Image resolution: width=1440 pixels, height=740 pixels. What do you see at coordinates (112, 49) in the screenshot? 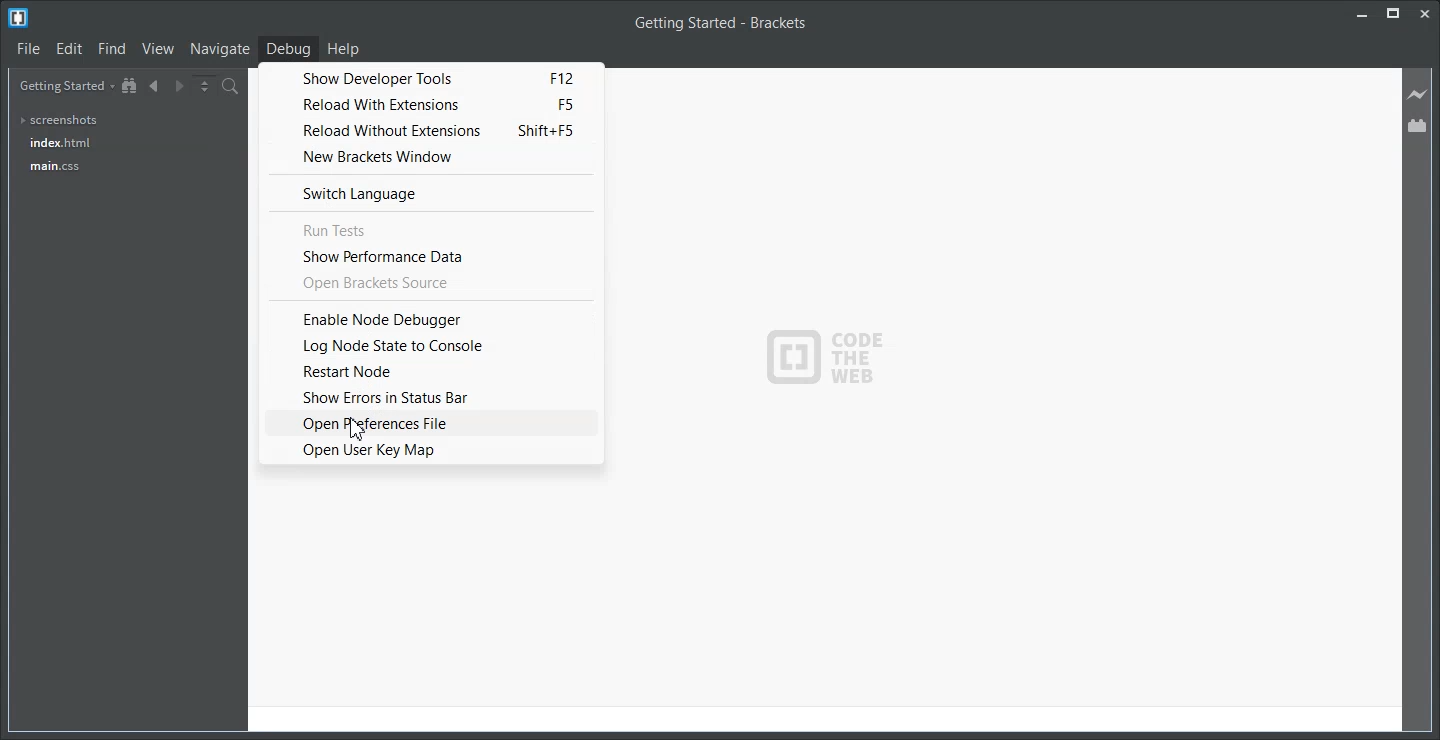
I see `Find` at bounding box center [112, 49].